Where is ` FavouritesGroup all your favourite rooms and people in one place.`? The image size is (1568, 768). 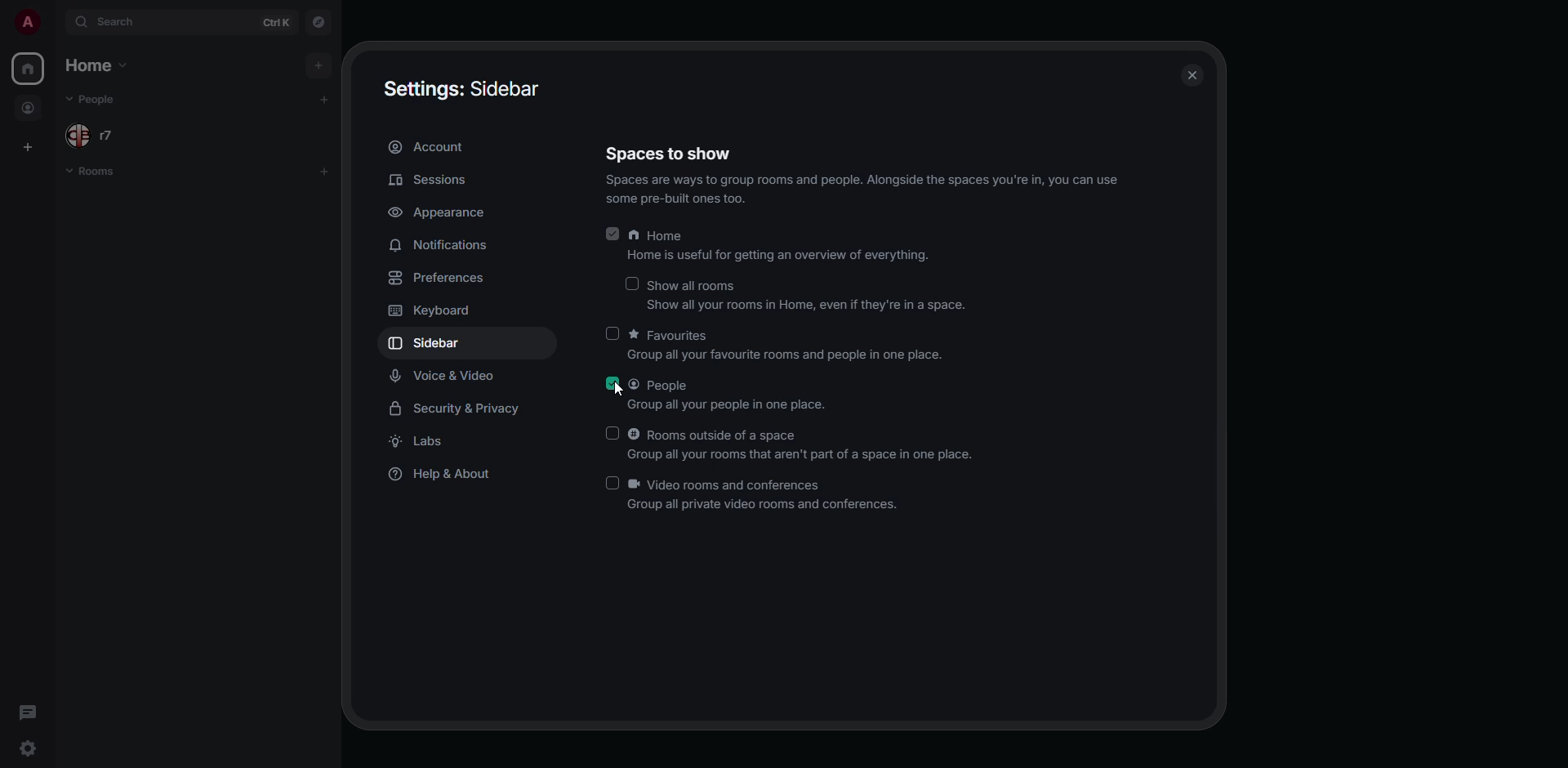  FavouritesGroup all your favourite rooms and people in one place. is located at coordinates (776, 343).